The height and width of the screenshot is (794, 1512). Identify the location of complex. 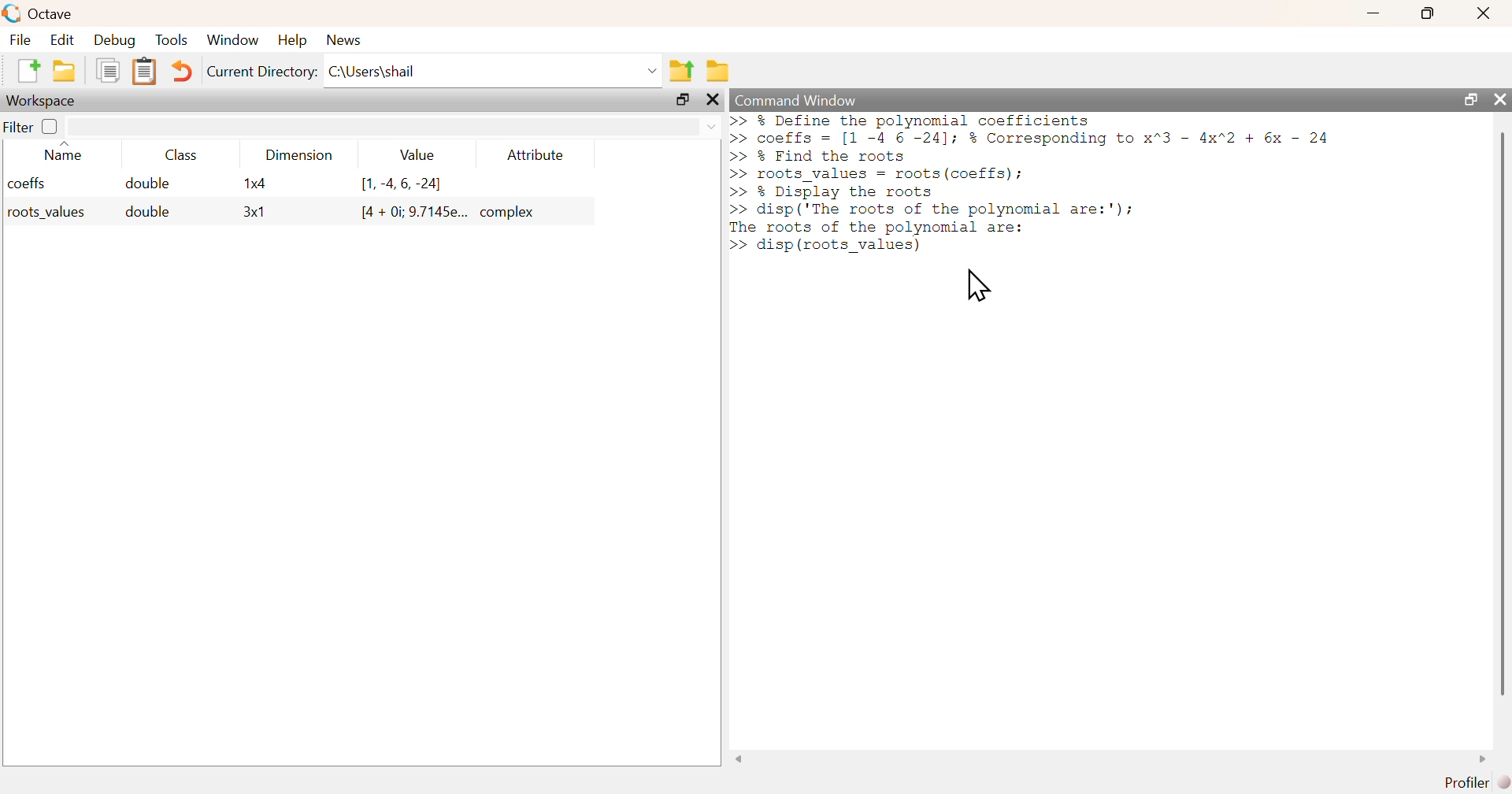
(510, 212).